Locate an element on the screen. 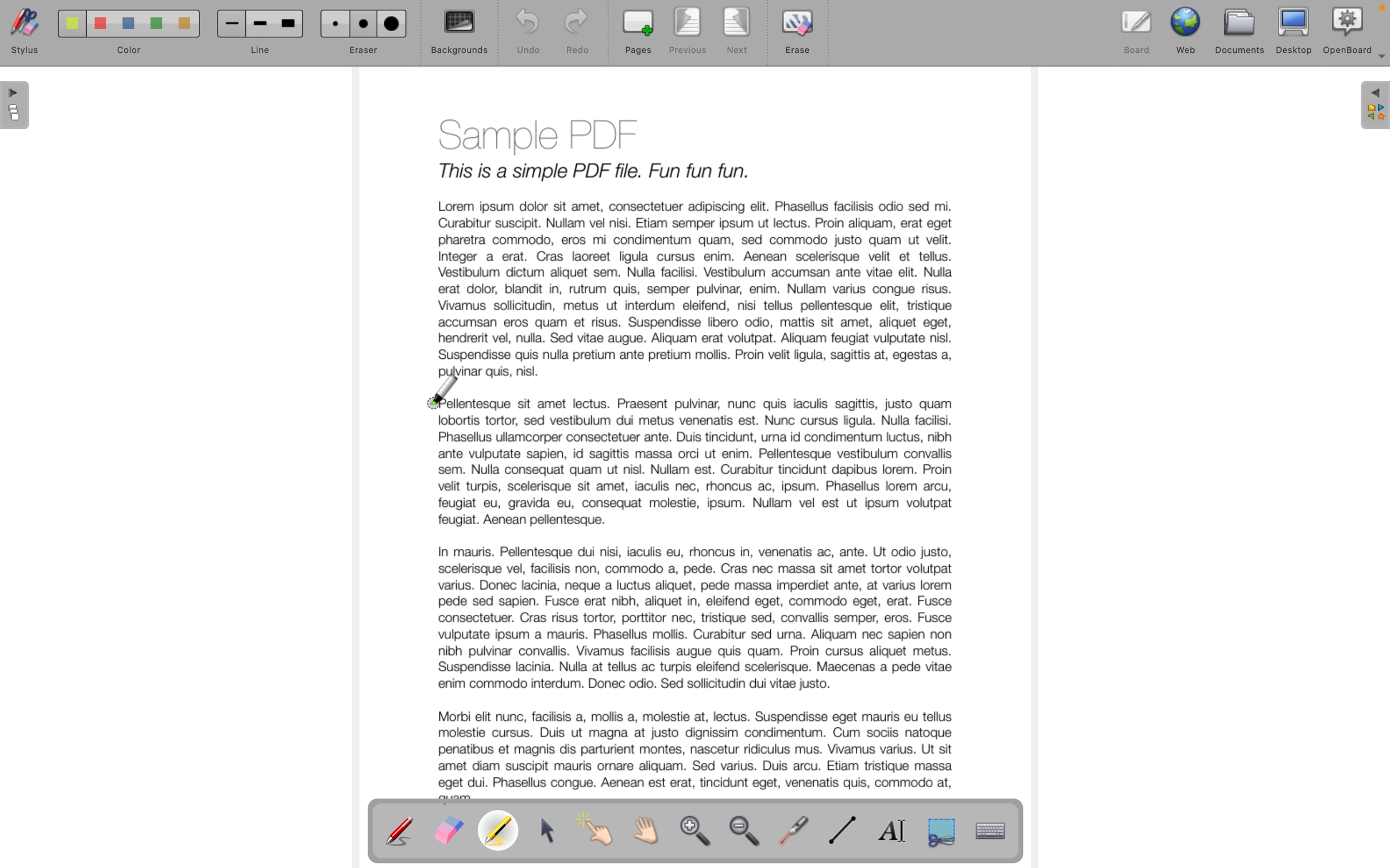 This screenshot has width=1390, height=868. select is located at coordinates (550, 831).